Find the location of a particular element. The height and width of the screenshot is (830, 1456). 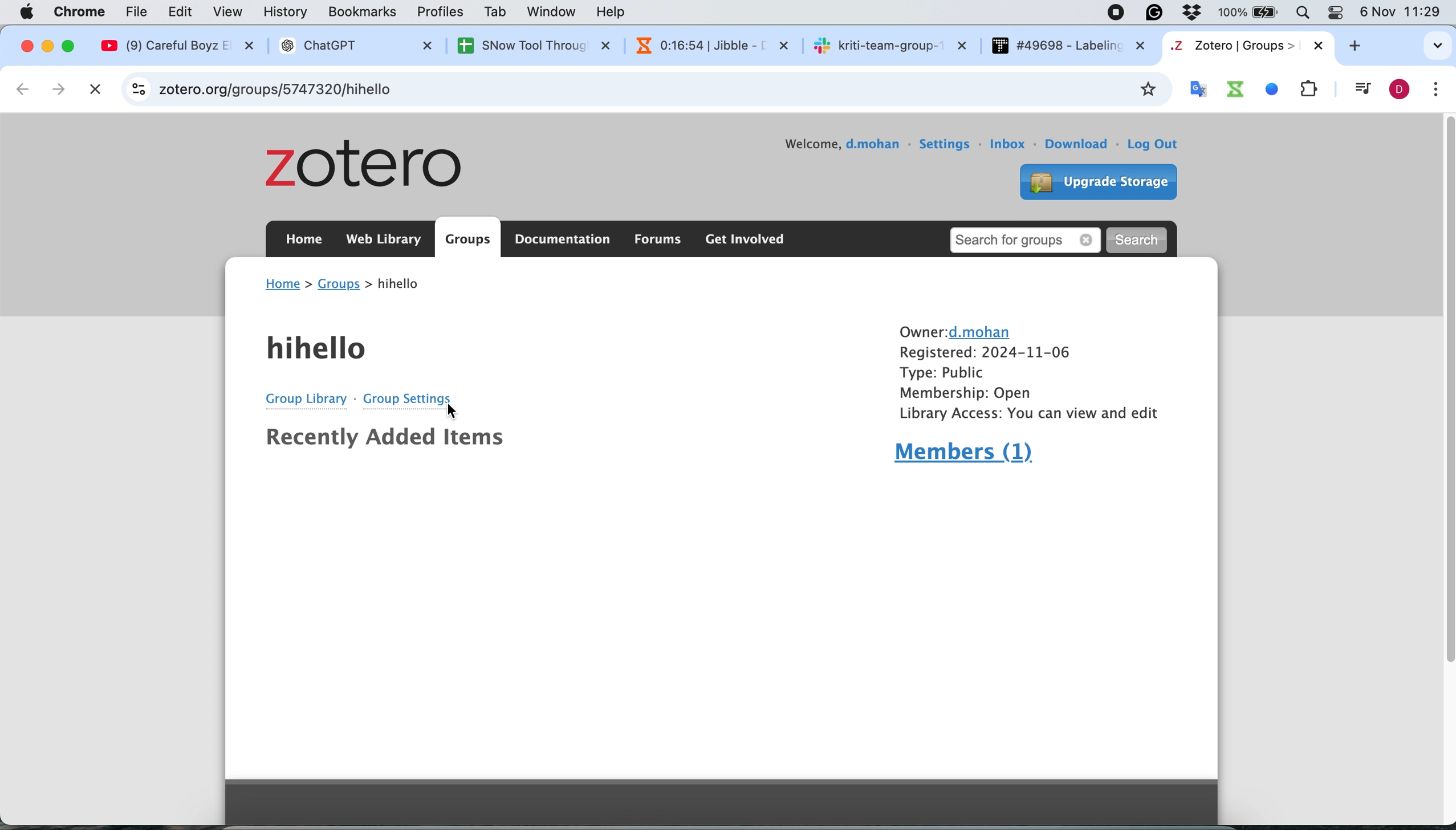

cancel is located at coordinates (95, 87).